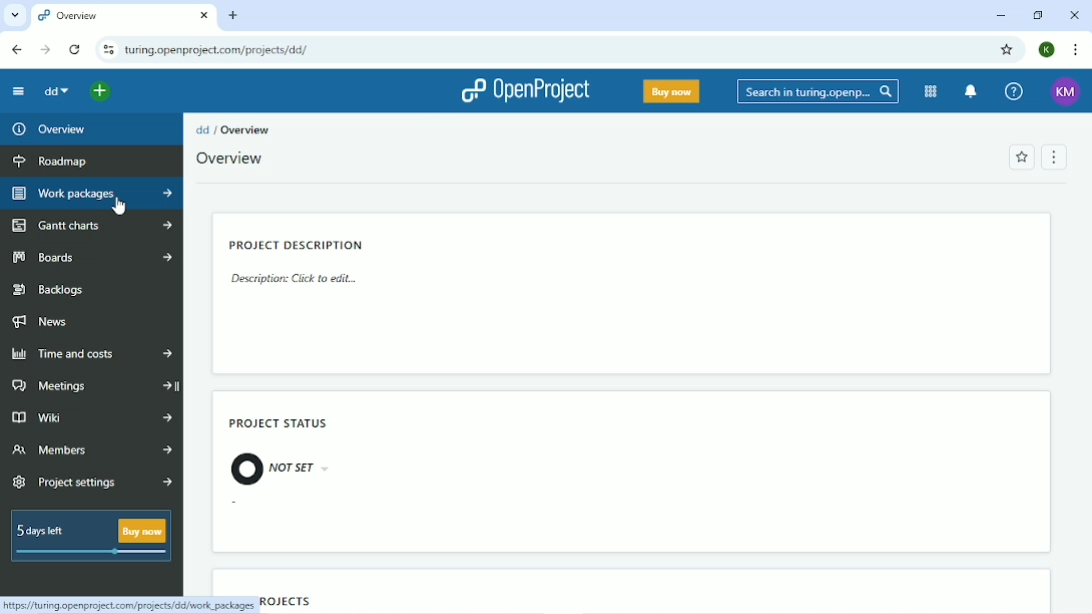 This screenshot has height=614, width=1092. What do you see at coordinates (279, 470) in the screenshot?
I see `NOT SET` at bounding box center [279, 470].